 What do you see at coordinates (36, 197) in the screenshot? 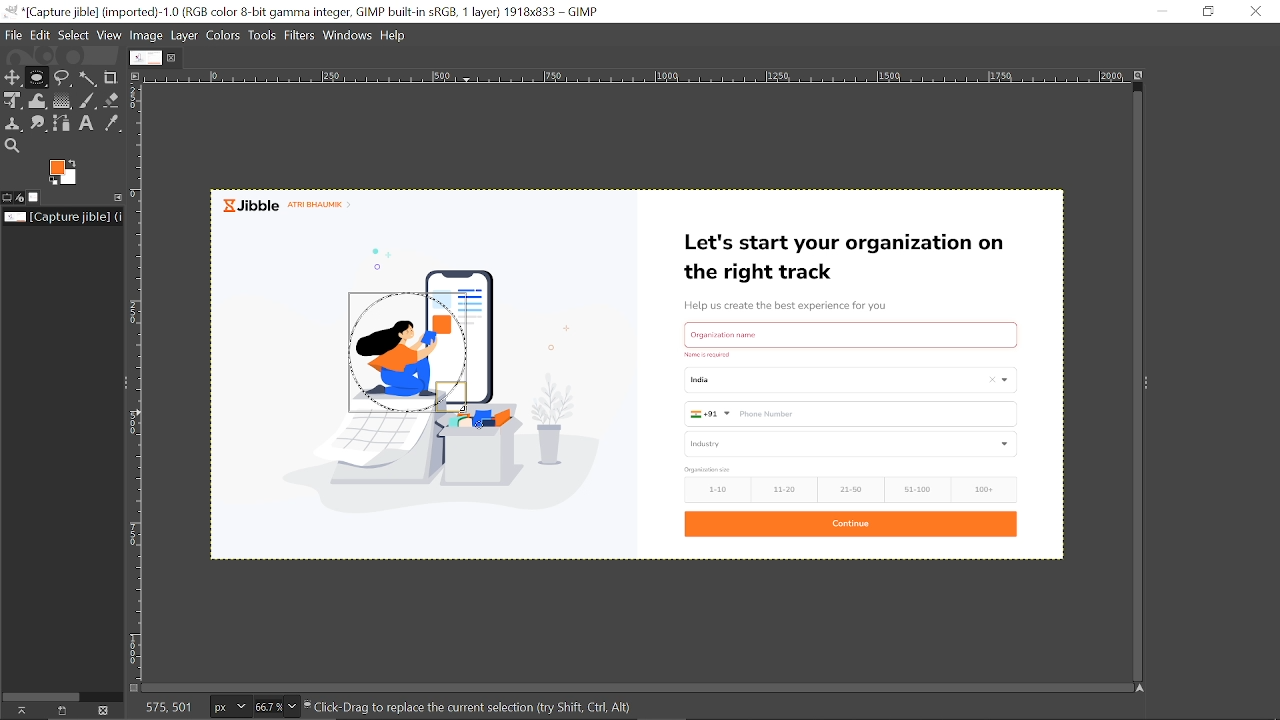
I see `Images` at bounding box center [36, 197].